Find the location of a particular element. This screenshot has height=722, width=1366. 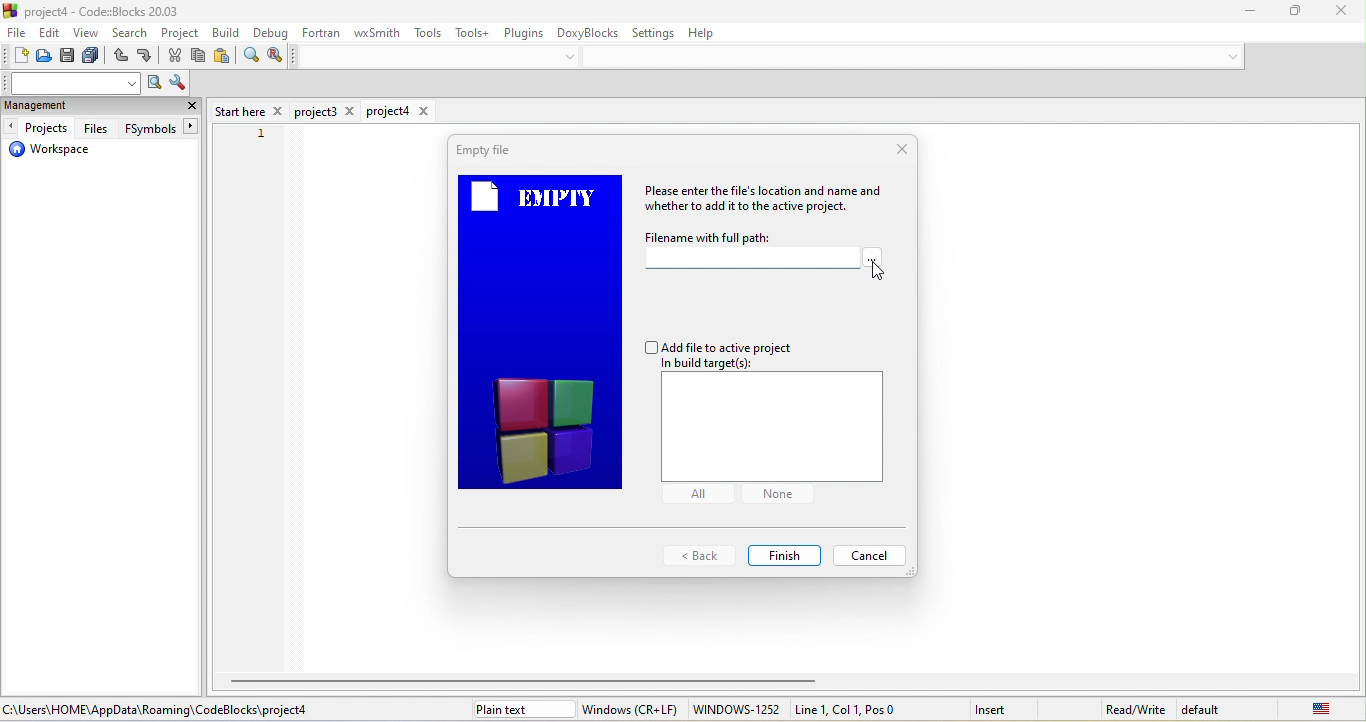

project3 is located at coordinates (327, 112).